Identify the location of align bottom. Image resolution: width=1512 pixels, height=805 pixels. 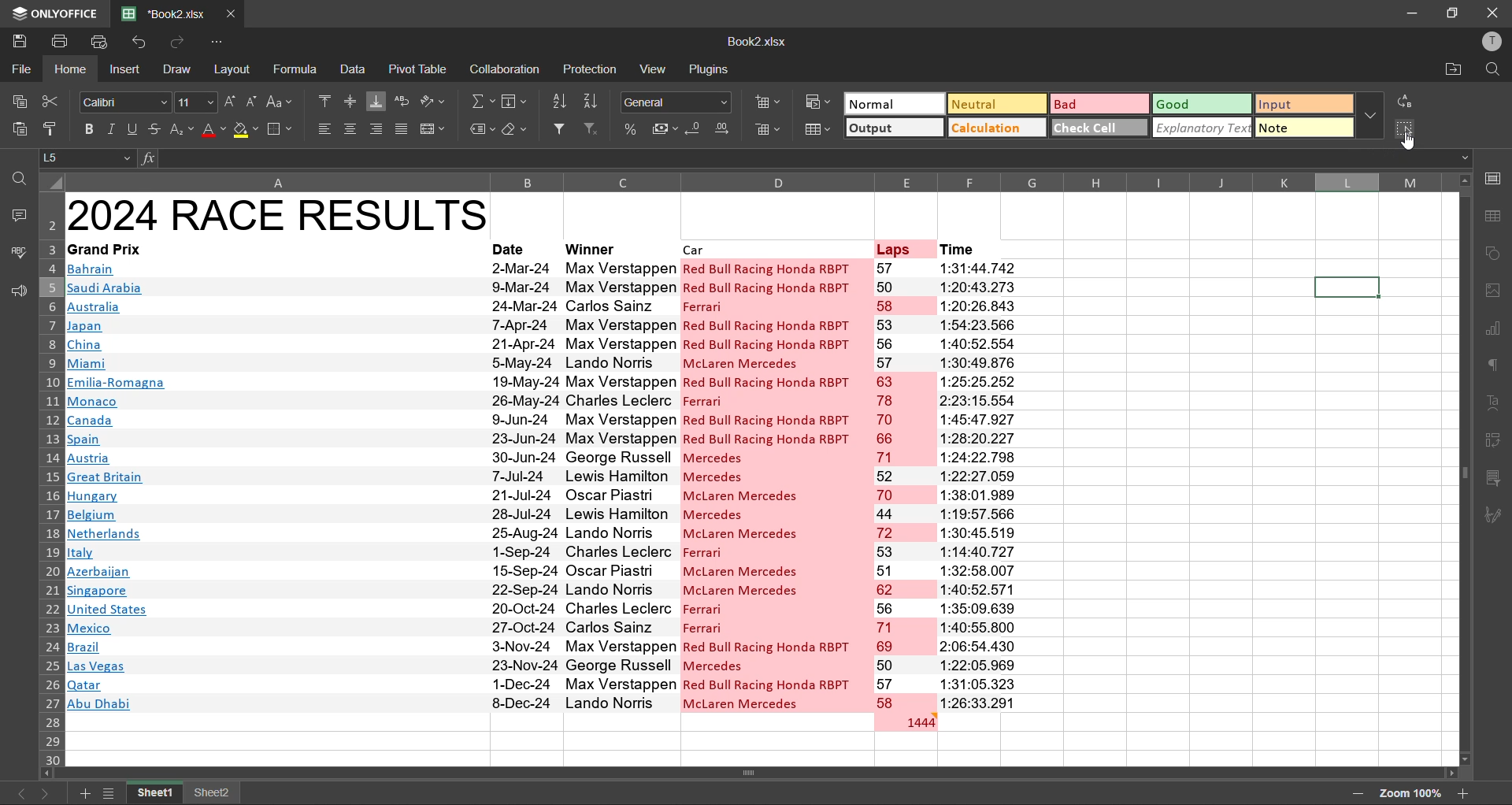
(375, 102).